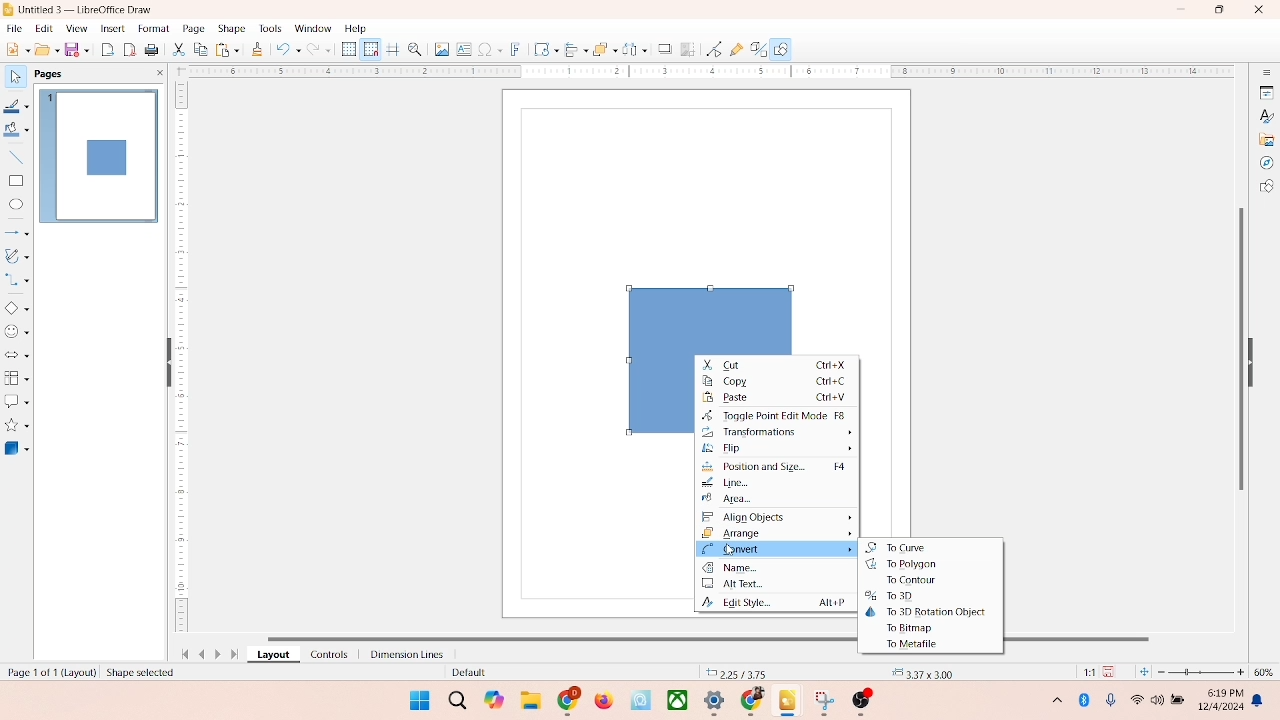  I want to click on insert line, so click(16, 157).